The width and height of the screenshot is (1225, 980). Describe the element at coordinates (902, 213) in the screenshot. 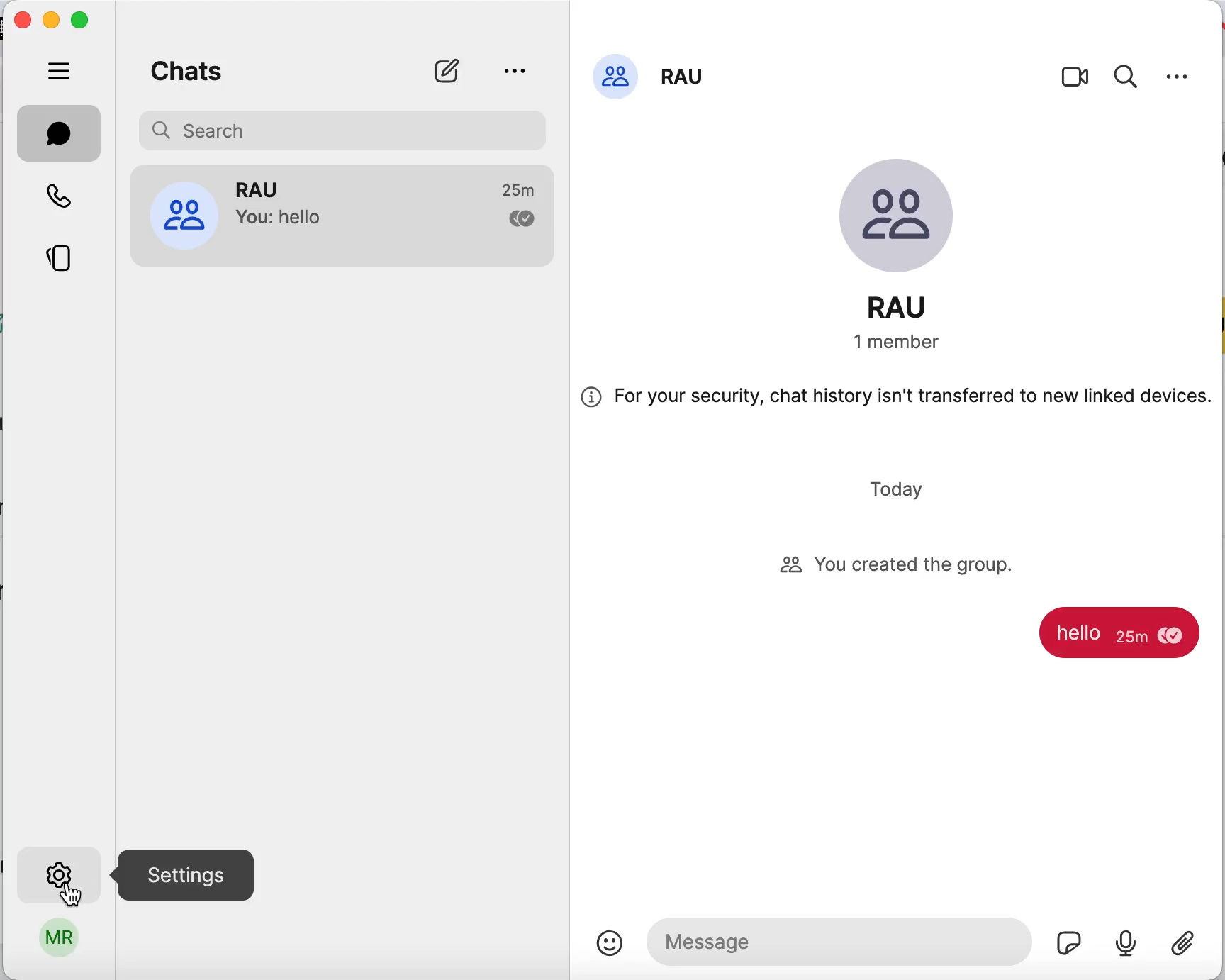

I see `group image` at that location.